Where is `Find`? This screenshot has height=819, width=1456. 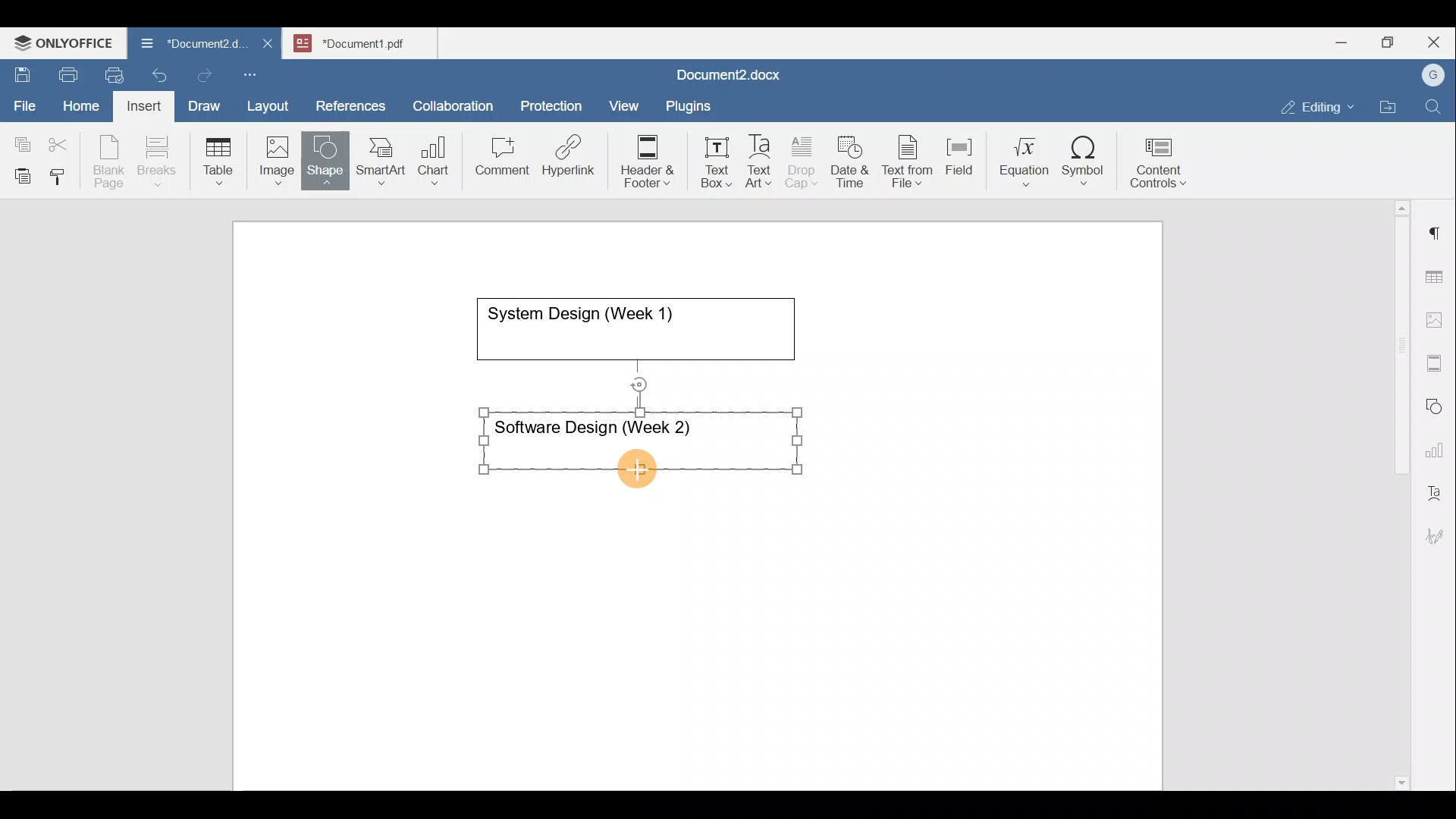
Find is located at coordinates (1435, 108).